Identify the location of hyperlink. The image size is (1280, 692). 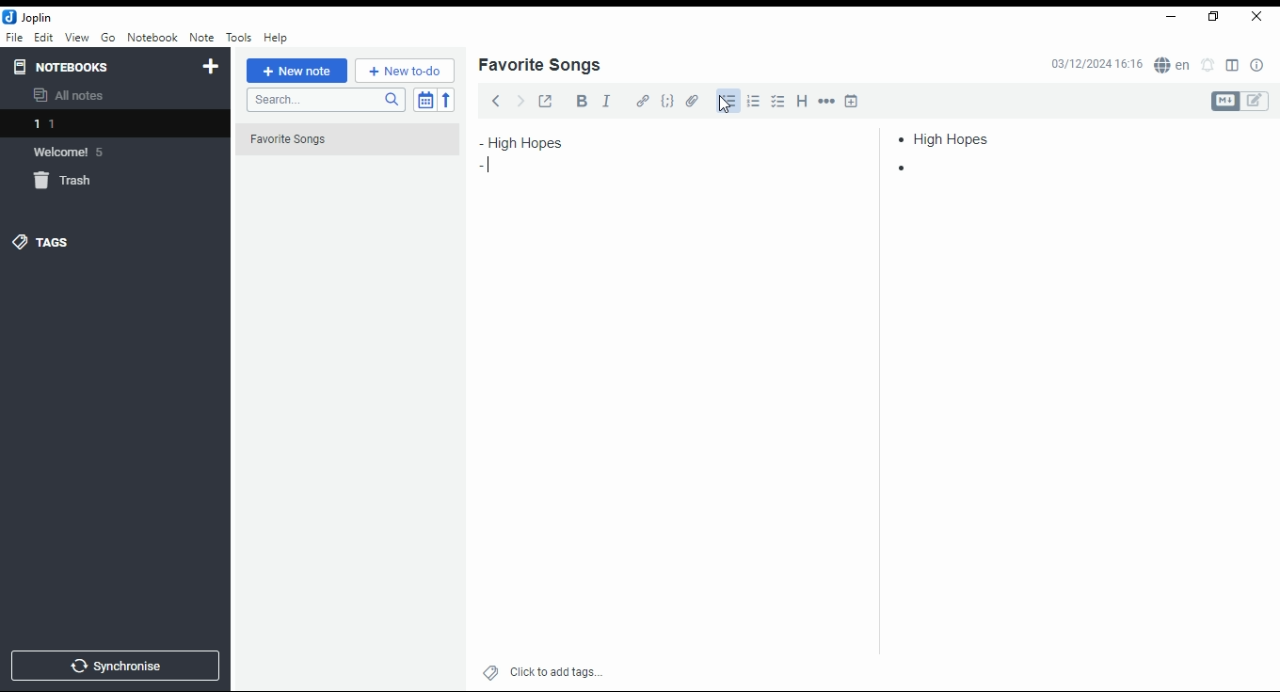
(643, 100).